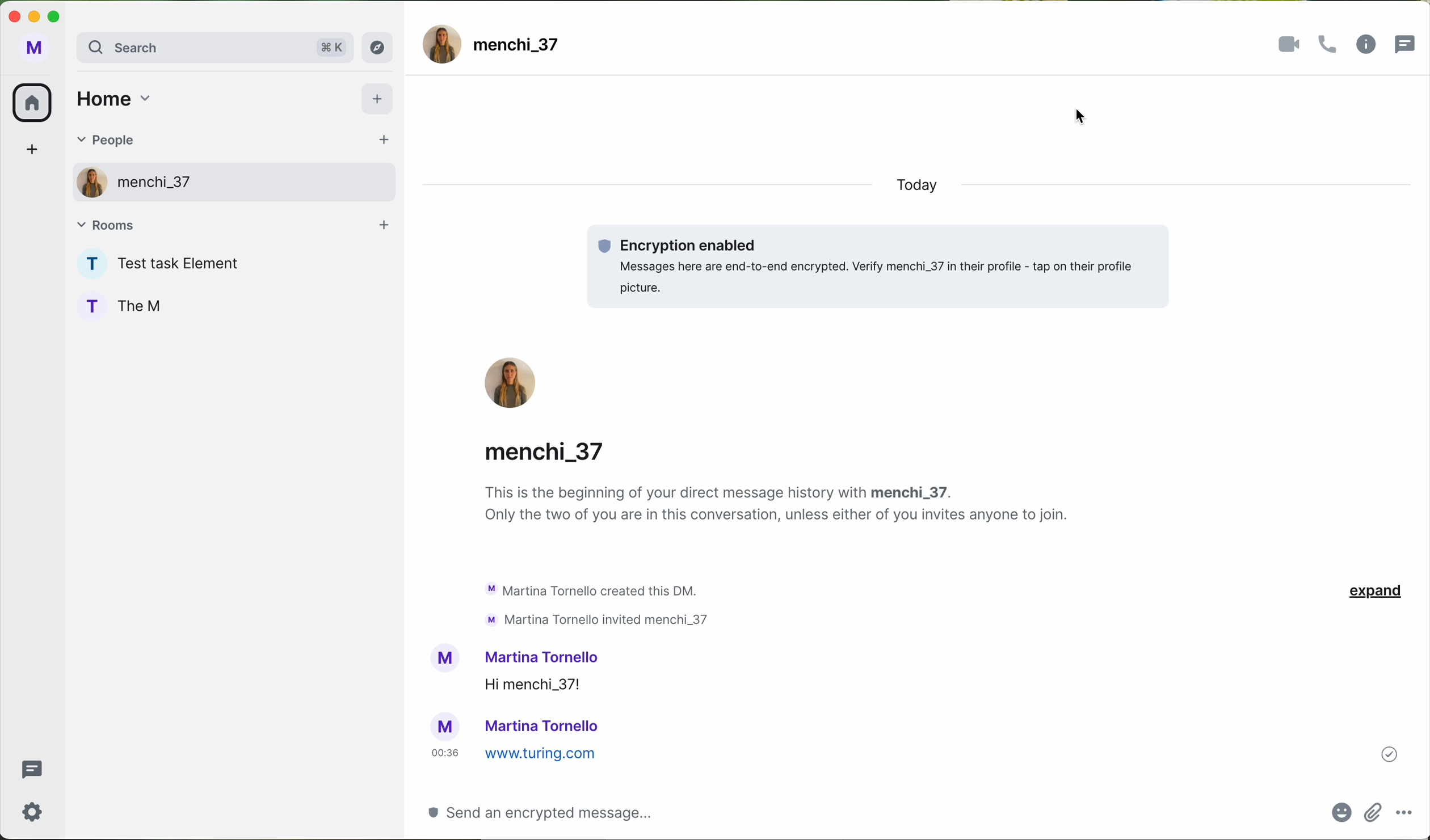  Describe the element at coordinates (36, 18) in the screenshot. I see `minimize` at that location.